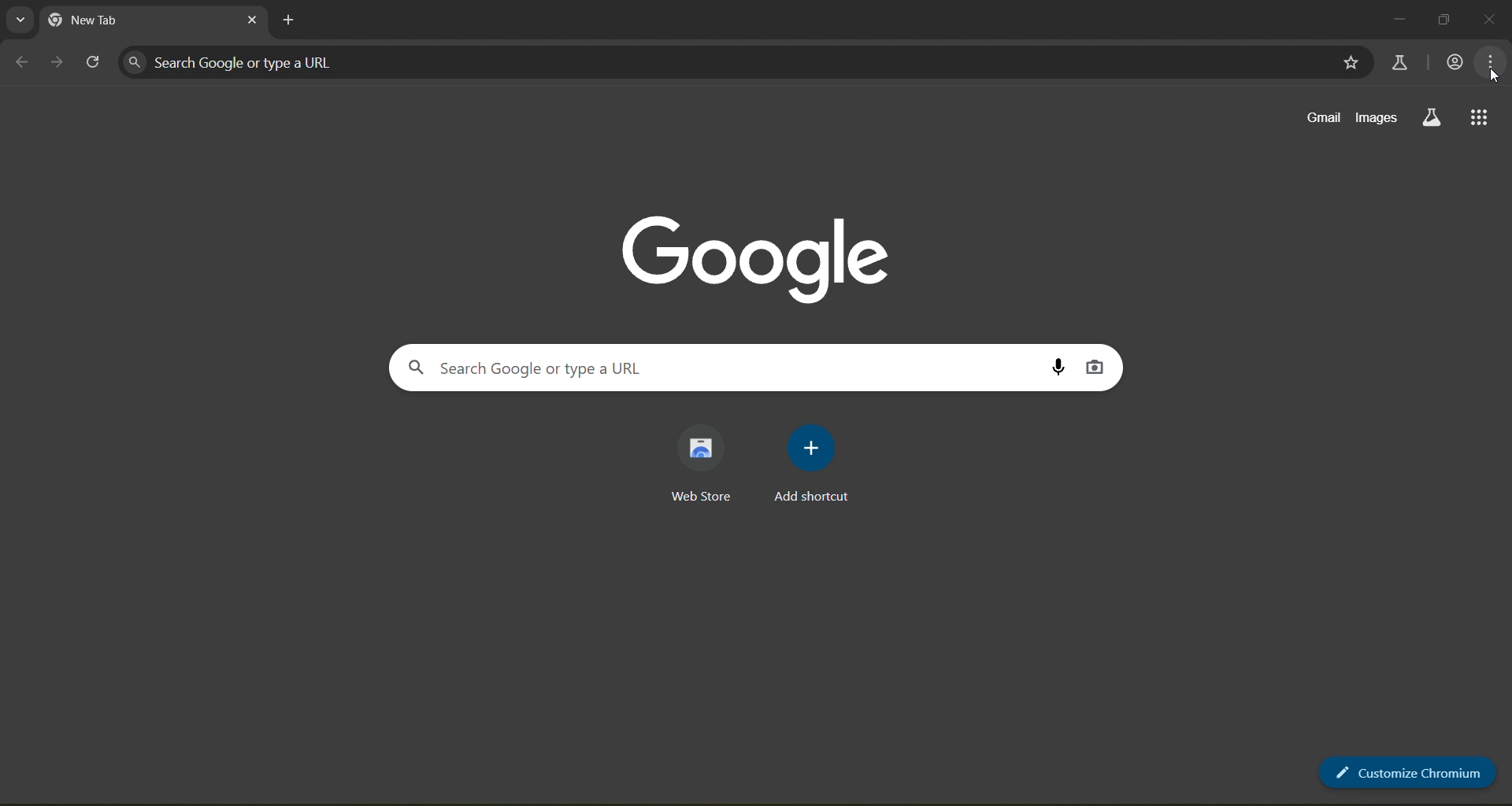 The width and height of the screenshot is (1512, 806). I want to click on go forward one page, so click(57, 63).